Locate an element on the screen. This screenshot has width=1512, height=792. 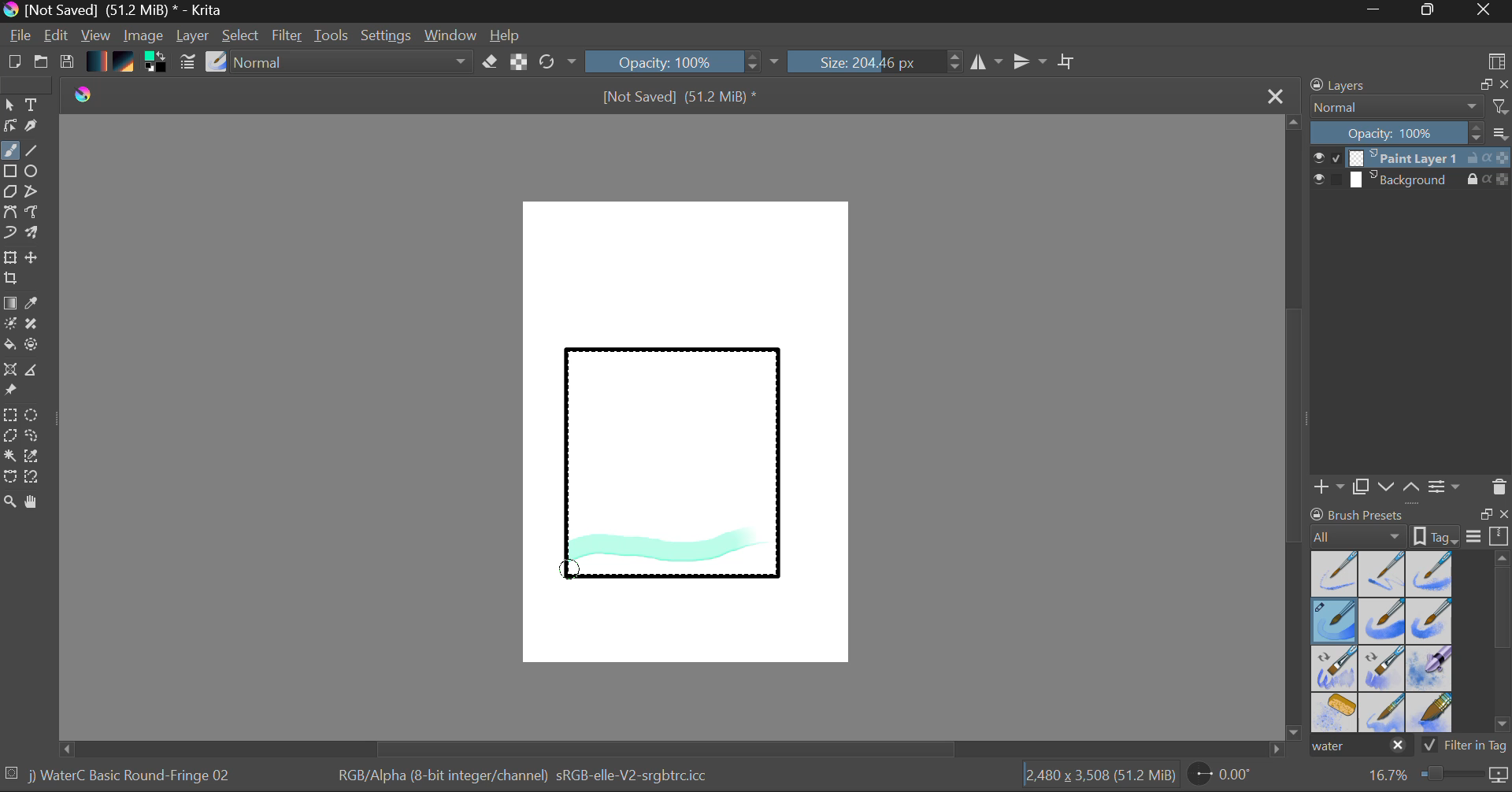
Zoom is located at coordinates (10, 503).